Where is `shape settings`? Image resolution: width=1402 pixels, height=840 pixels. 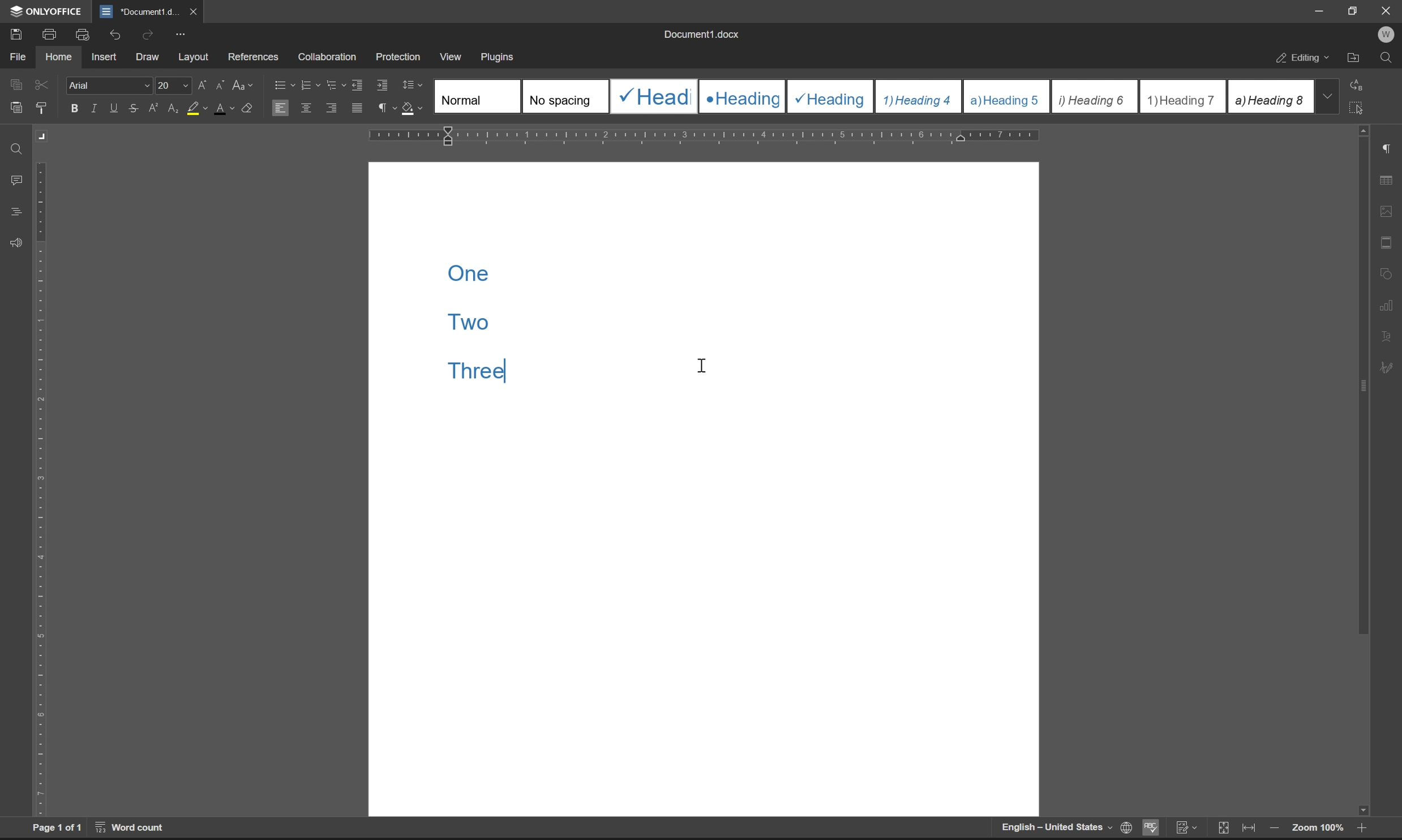 shape settings is located at coordinates (1386, 271).